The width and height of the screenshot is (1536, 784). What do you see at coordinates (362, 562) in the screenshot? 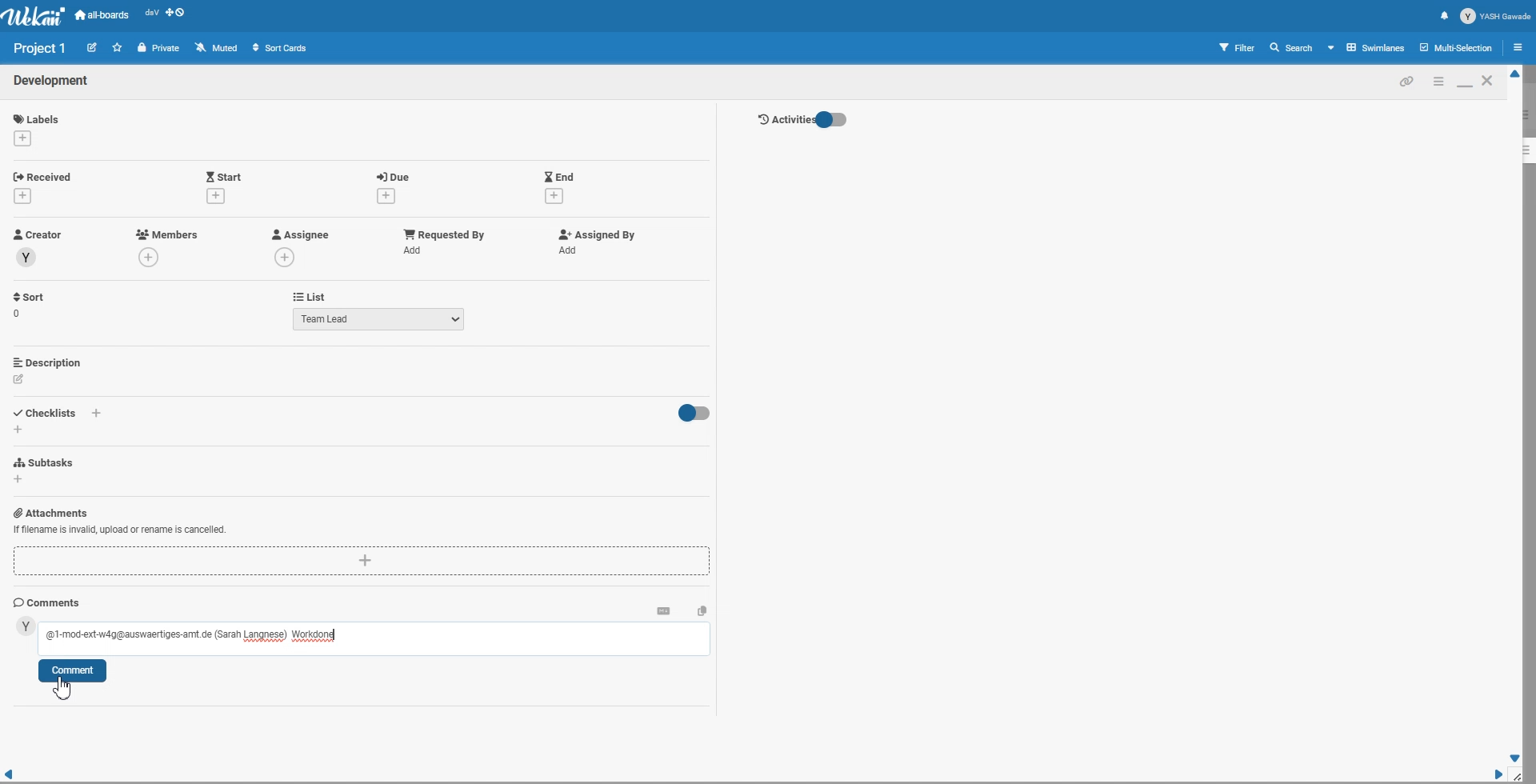
I see `Add Attachments` at bounding box center [362, 562].